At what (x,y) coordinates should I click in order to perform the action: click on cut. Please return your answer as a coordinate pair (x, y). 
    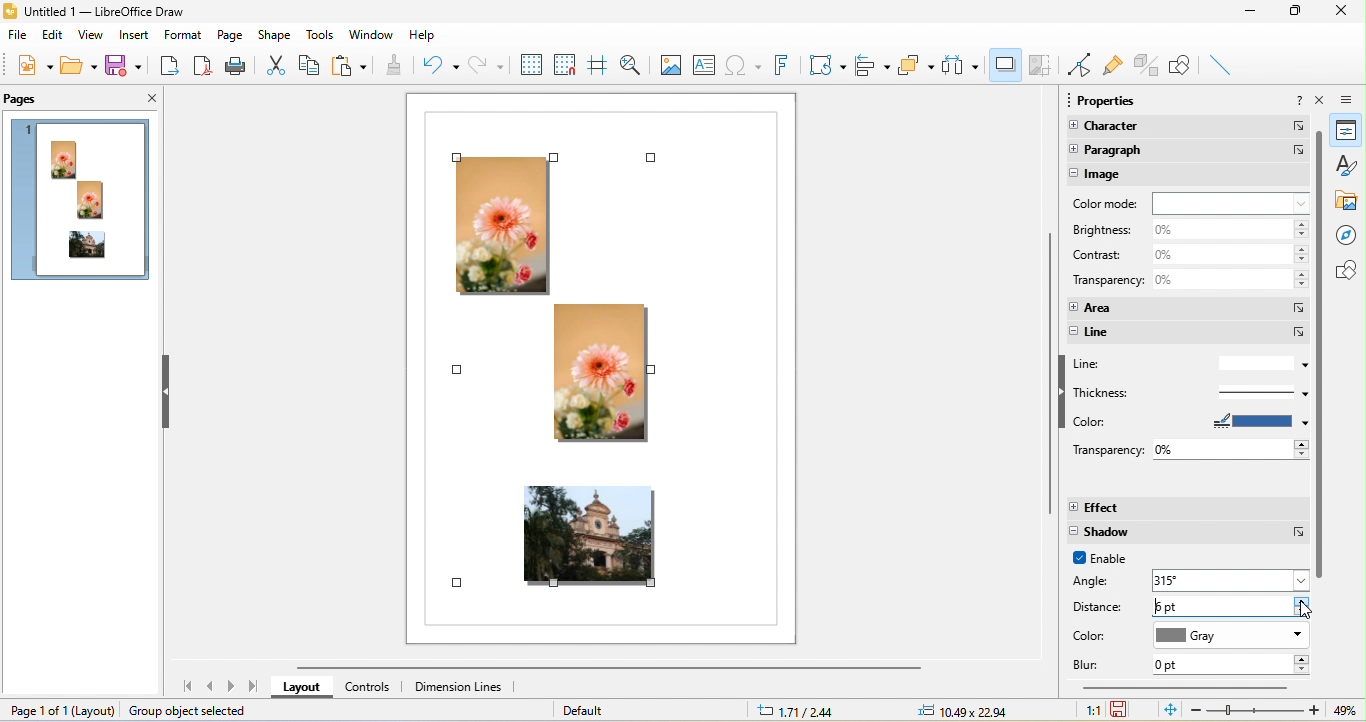
    Looking at the image, I should click on (275, 64).